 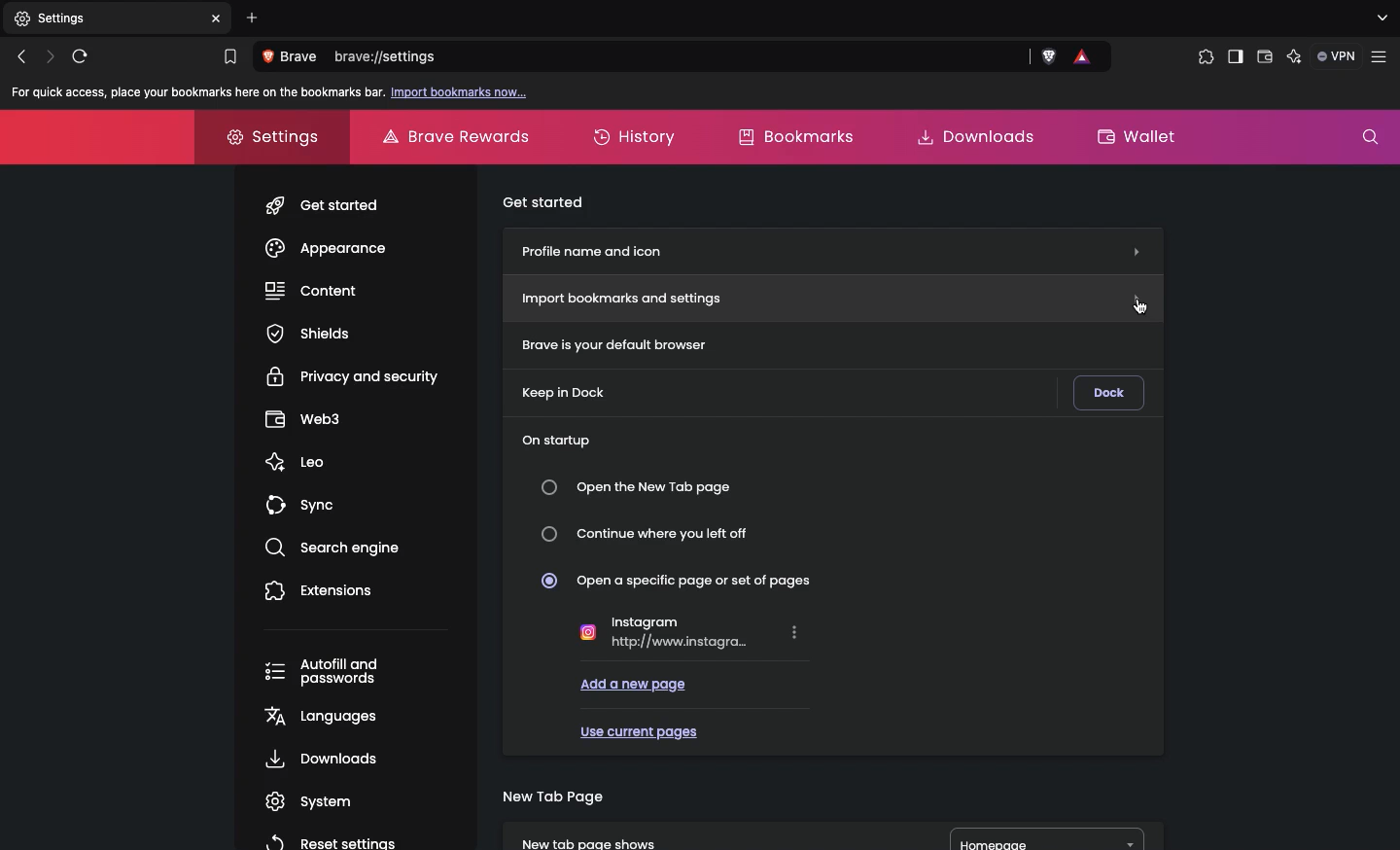 I want to click on New tab page shows, so click(x=700, y=834).